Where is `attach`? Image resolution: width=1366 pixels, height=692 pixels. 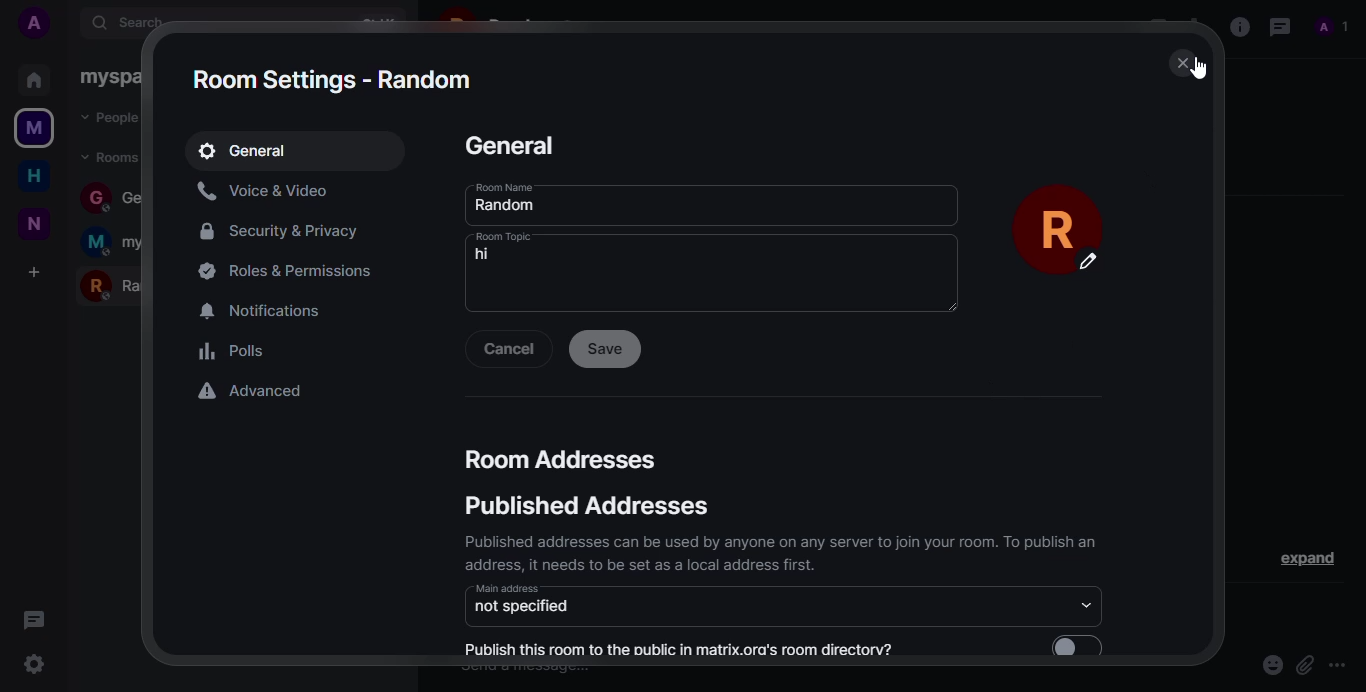 attach is located at coordinates (1302, 665).